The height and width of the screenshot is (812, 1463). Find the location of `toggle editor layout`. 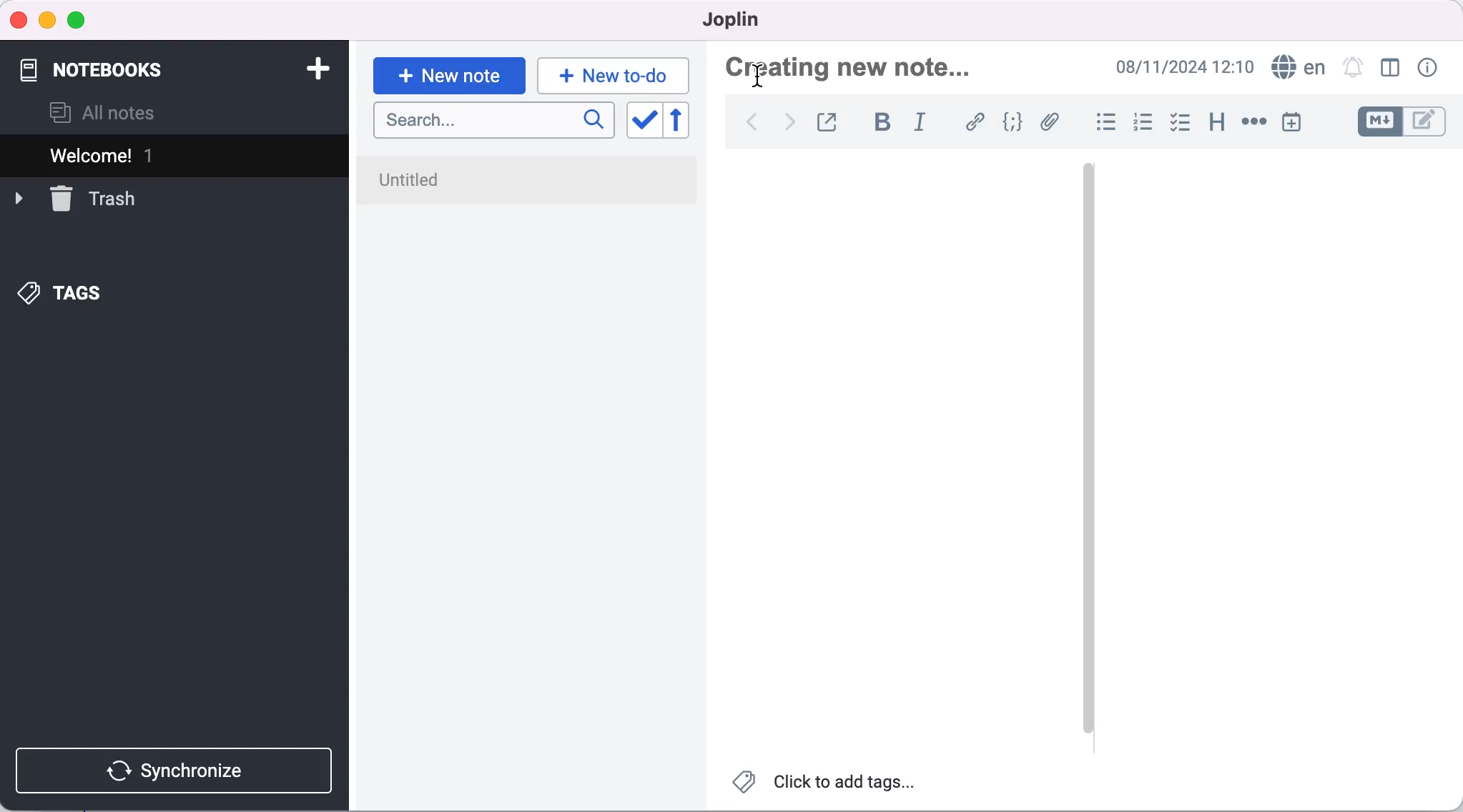

toggle editor layout is located at coordinates (1387, 69).